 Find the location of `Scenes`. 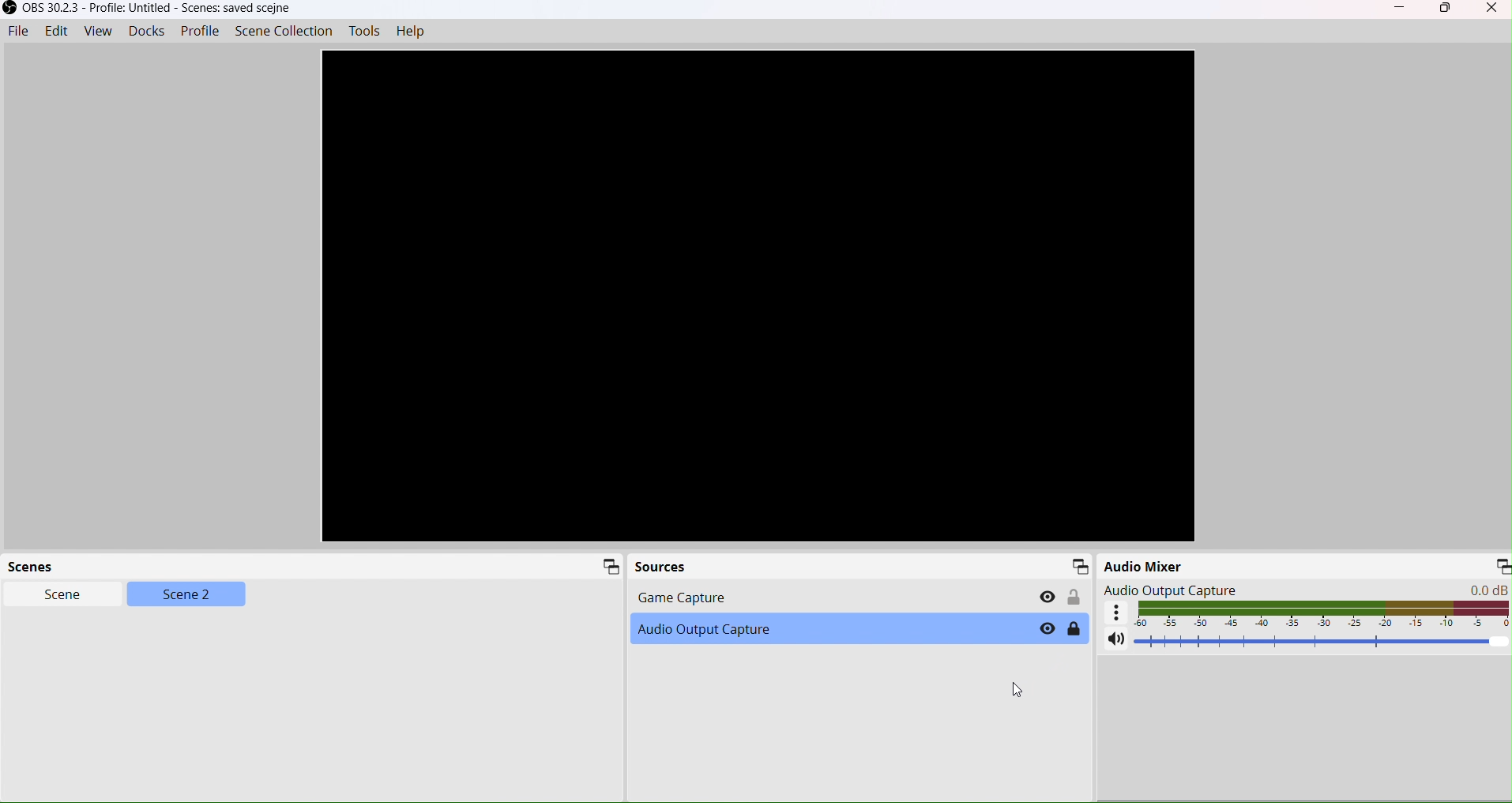

Scenes is located at coordinates (148, 564).